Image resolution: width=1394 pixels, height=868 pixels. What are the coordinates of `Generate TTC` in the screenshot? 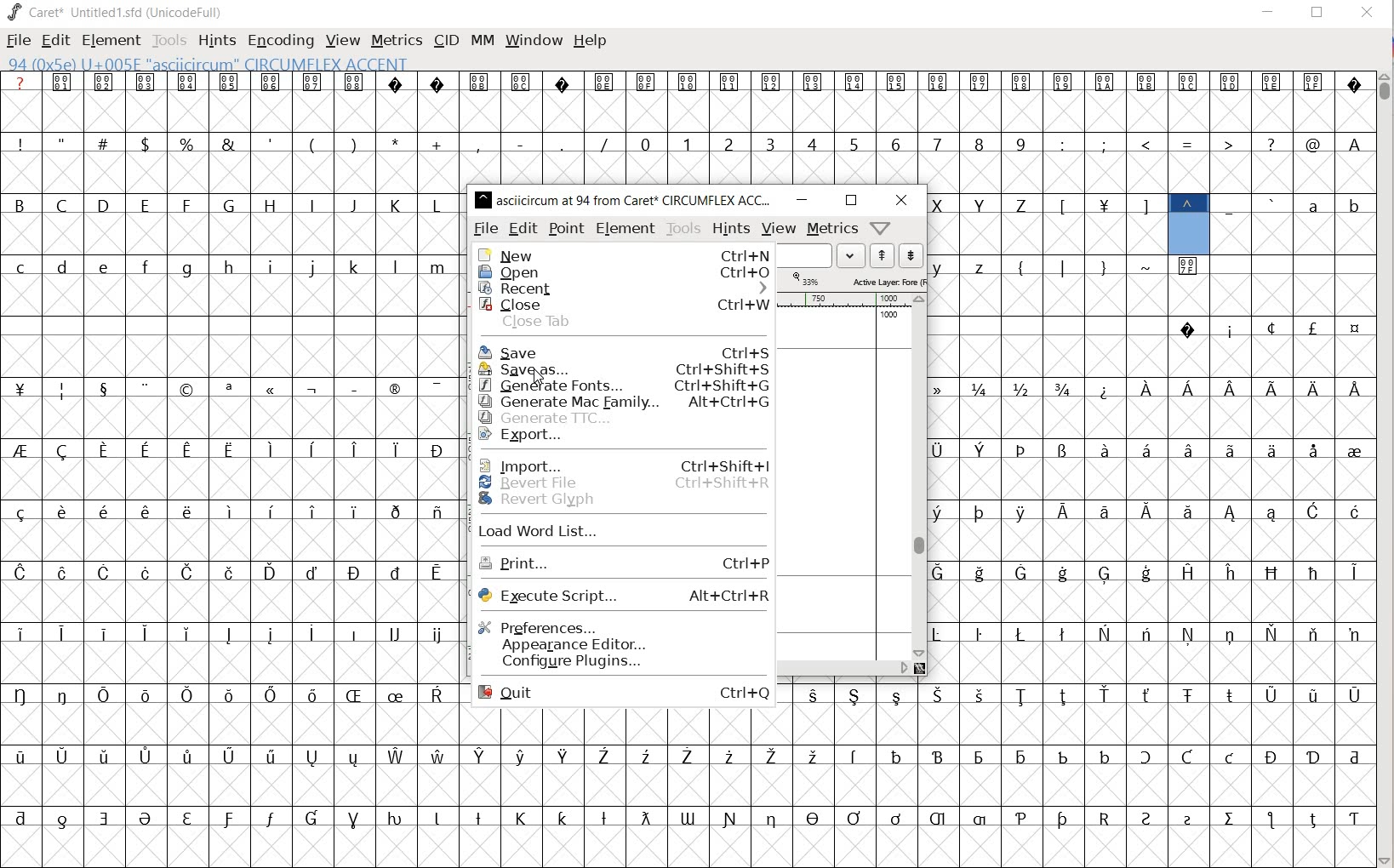 It's located at (623, 418).